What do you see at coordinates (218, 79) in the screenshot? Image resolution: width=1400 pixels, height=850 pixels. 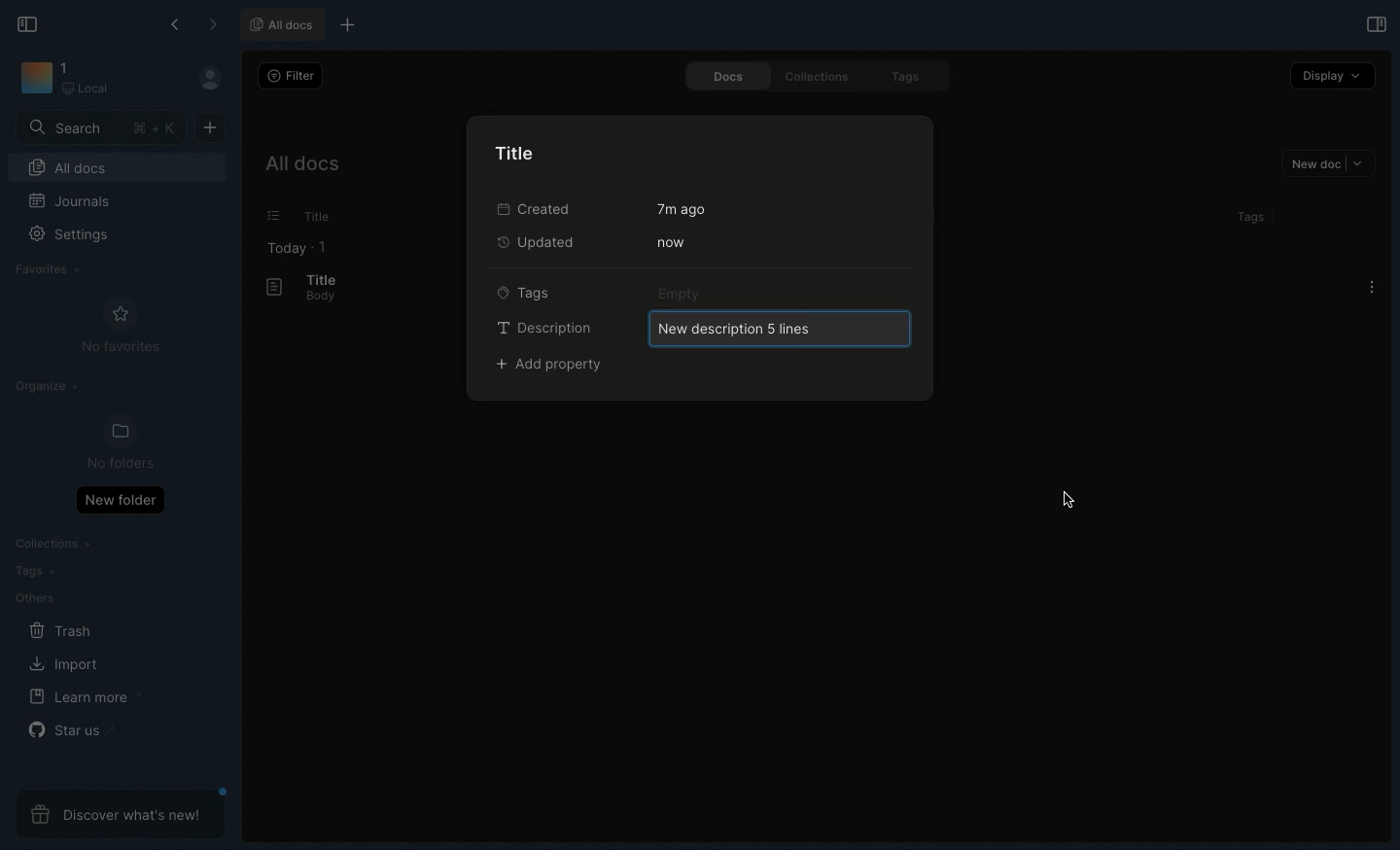 I see `User` at bounding box center [218, 79].